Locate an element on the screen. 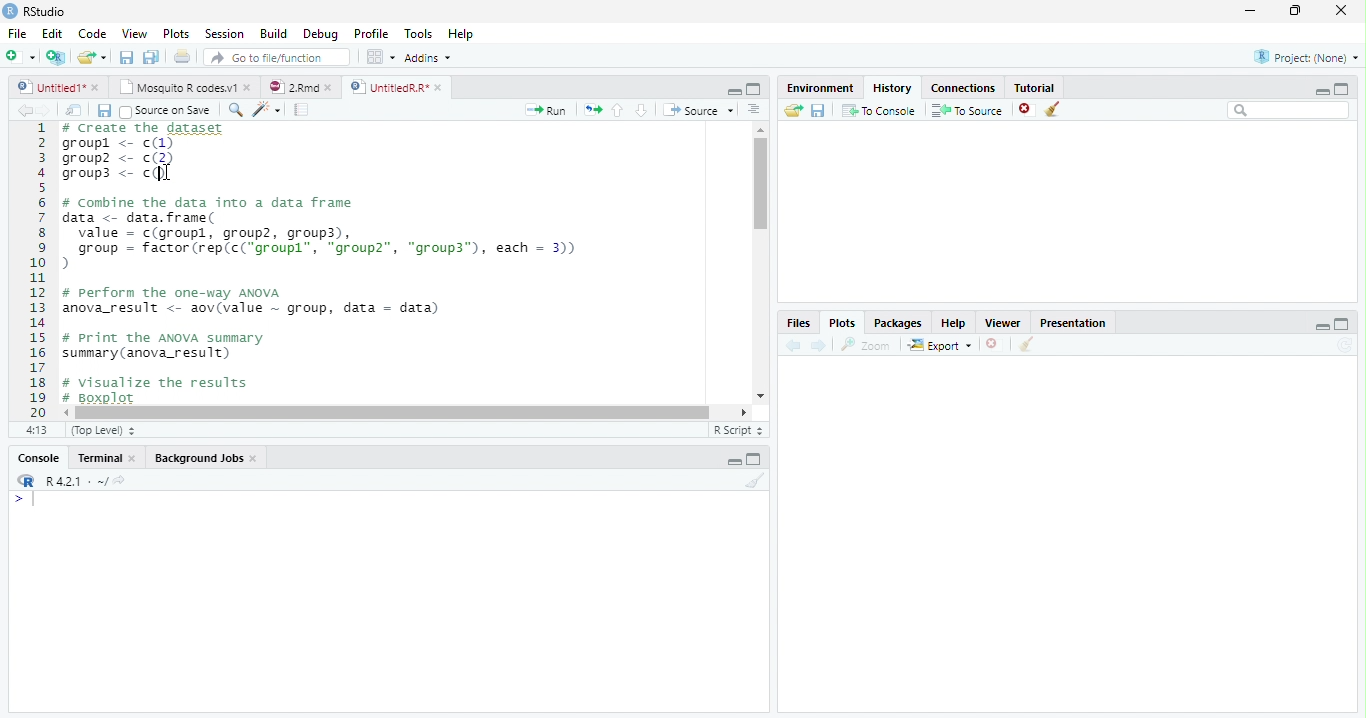  Plots is located at coordinates (176, 34).